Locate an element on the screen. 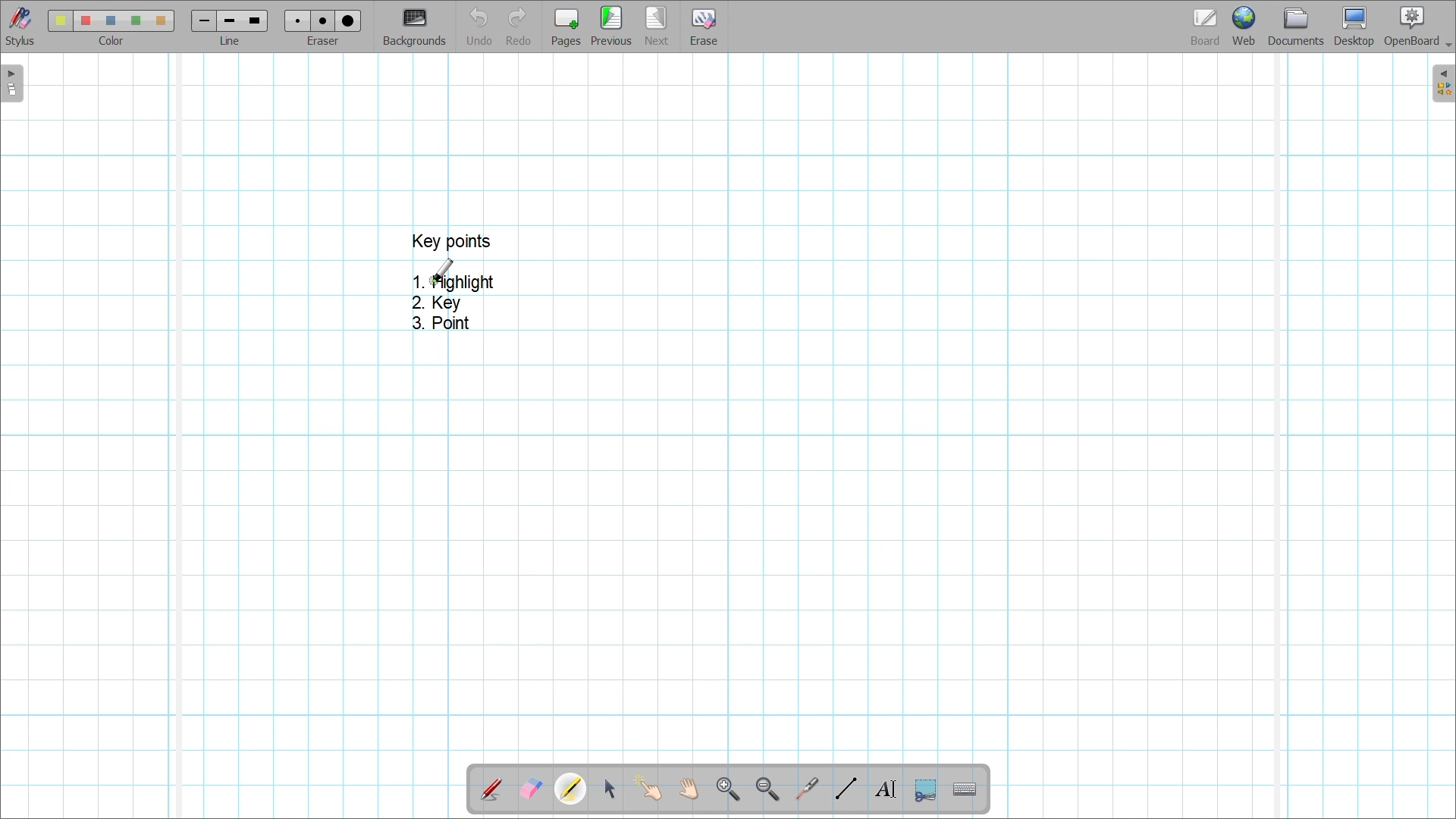 Image resolution: width=1456 pixels, height=819 pixels. Capture part of the screen is located at coordinates (926, 791).